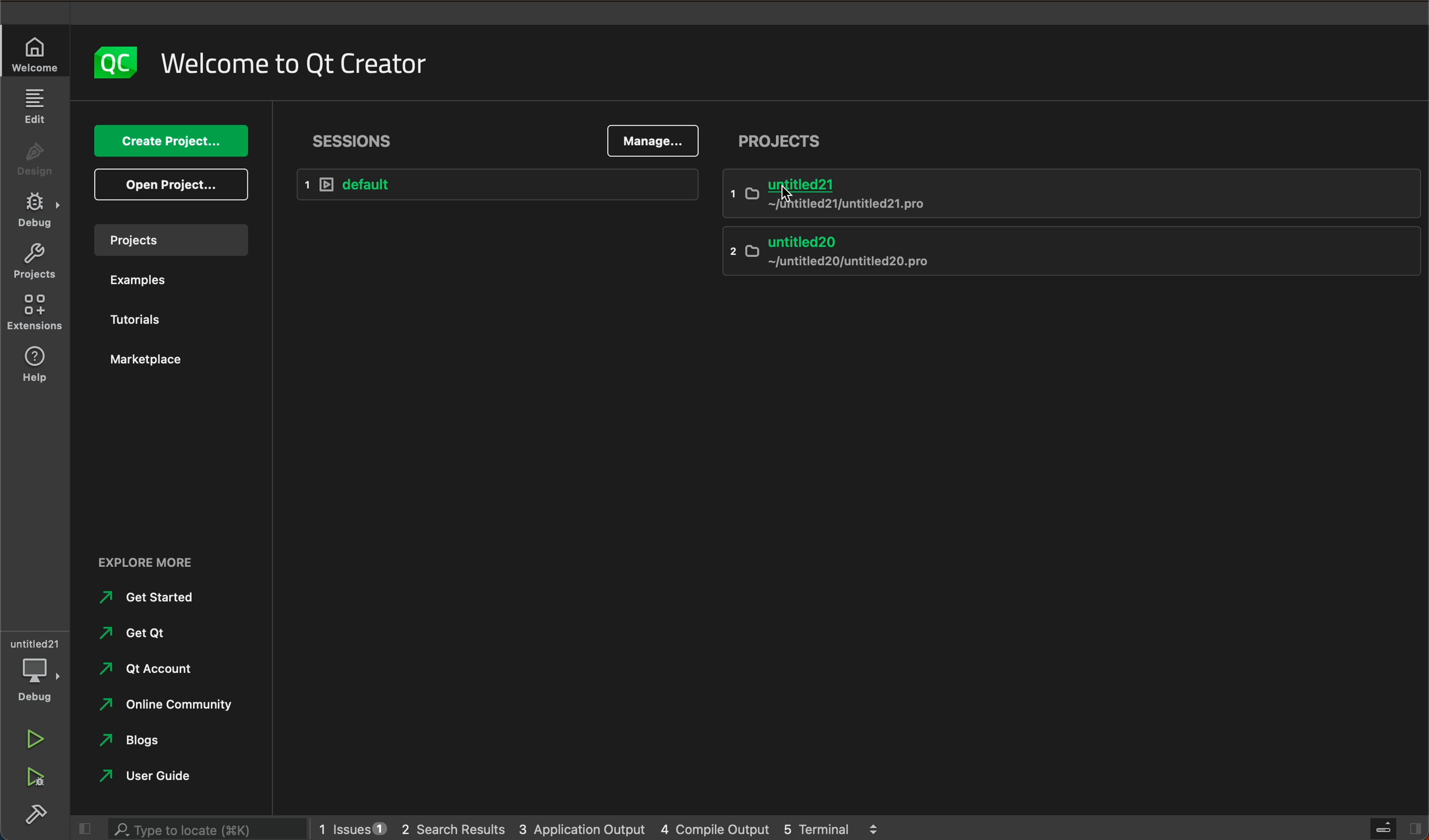 The height and width of the screenshot is (840, 1429). I want to click on external links, so click(164, 557).